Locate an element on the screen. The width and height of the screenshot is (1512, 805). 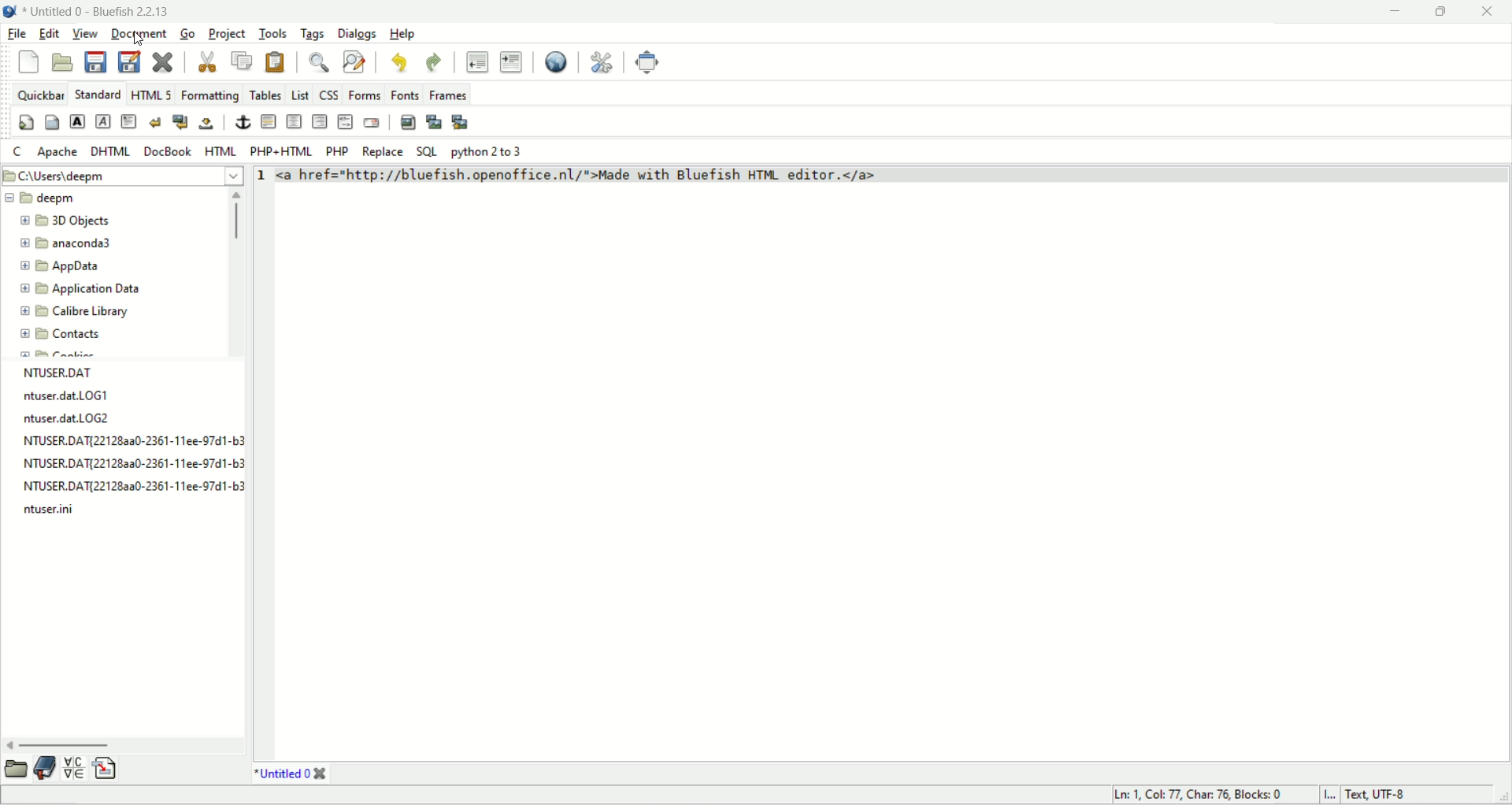
center is located at coordinates (294, 123).